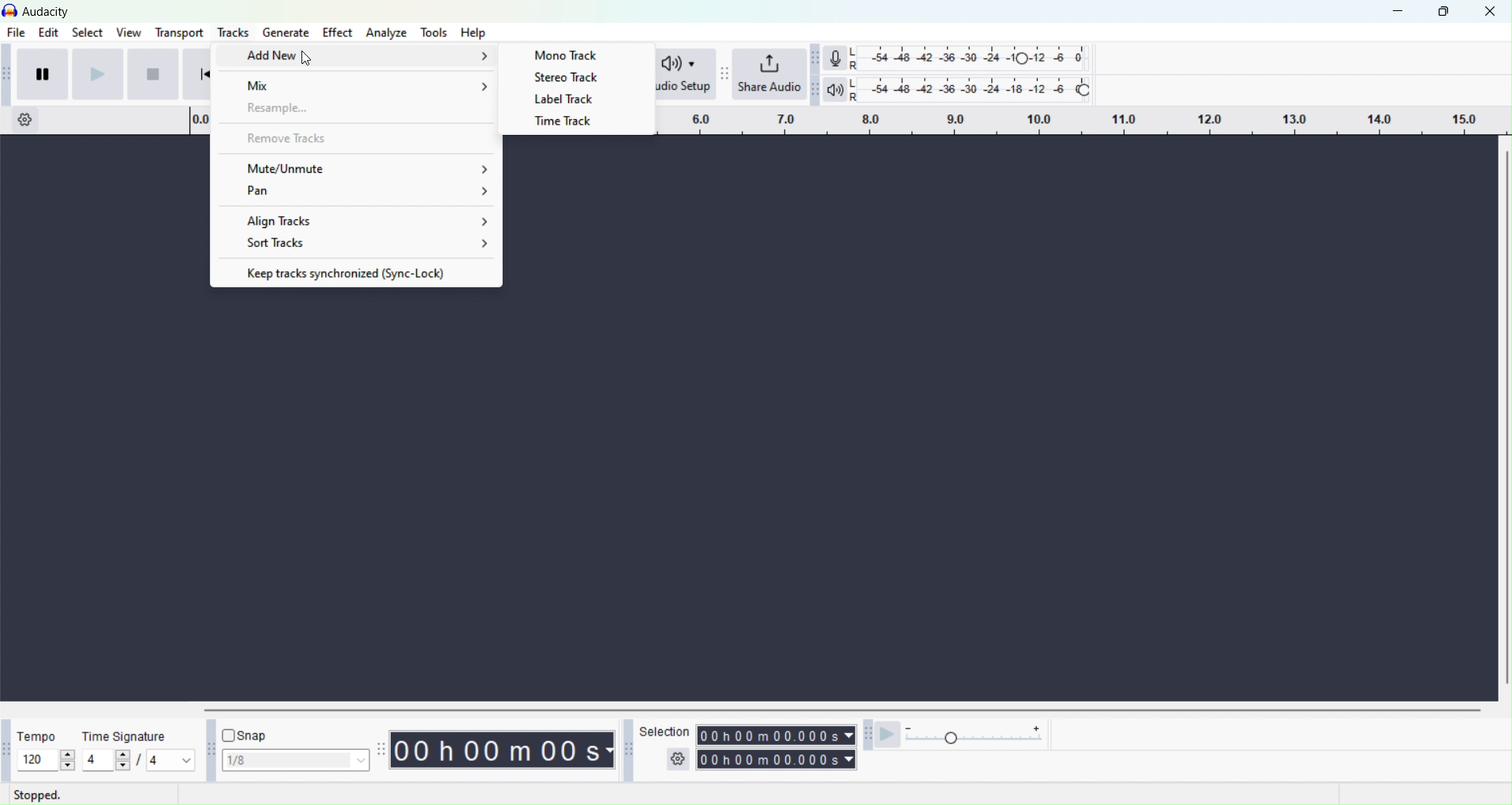 The width and height of the screenshot is (1512, 805). What do you see at coordinates (473, 32) in the screenshot?
I see `Help` at bounding box center [473, 32].